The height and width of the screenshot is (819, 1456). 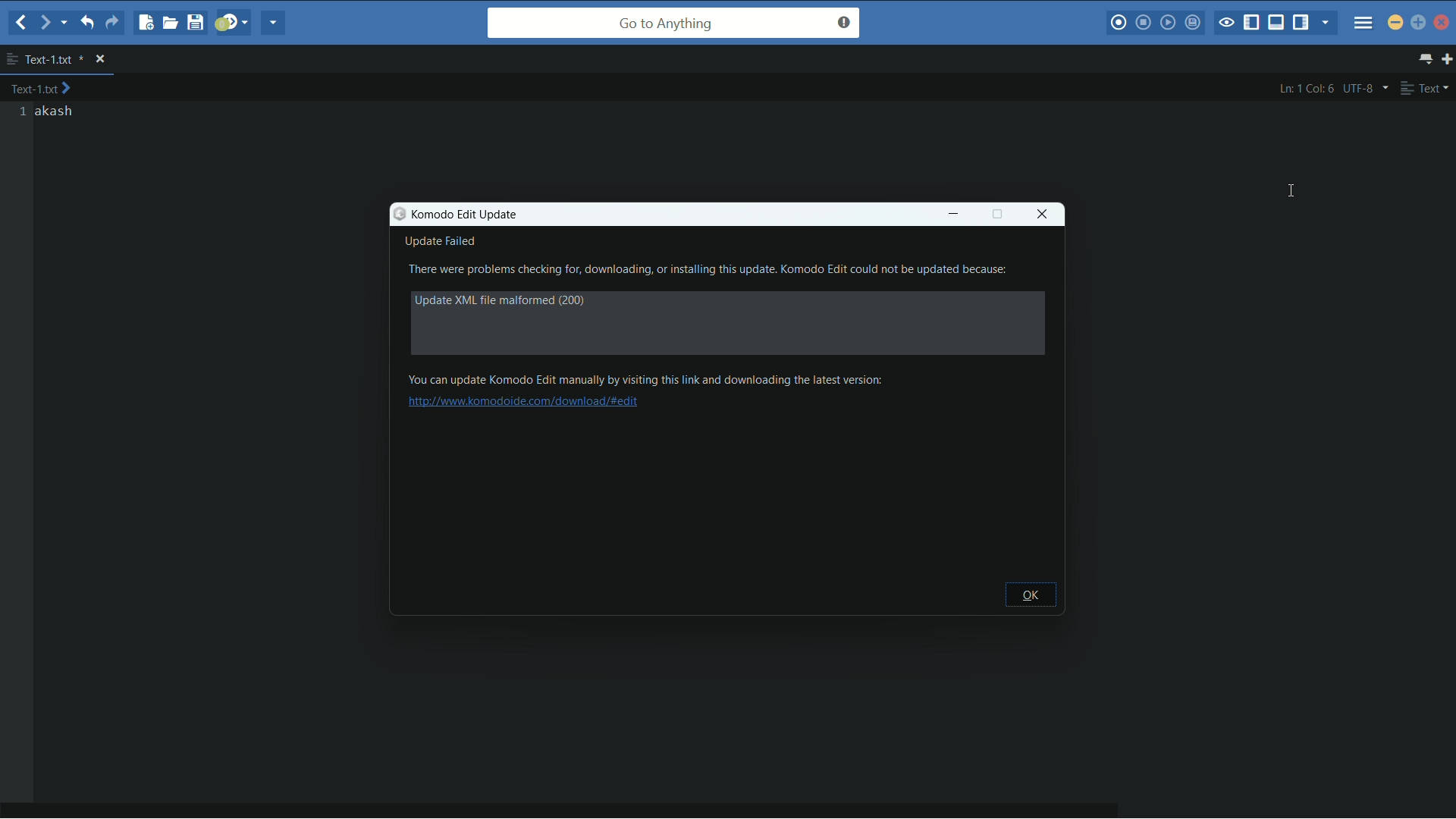 What do you see at coordinates (197, 22) in the screenshot?
I see `save file` at bounding box center [197, 22].